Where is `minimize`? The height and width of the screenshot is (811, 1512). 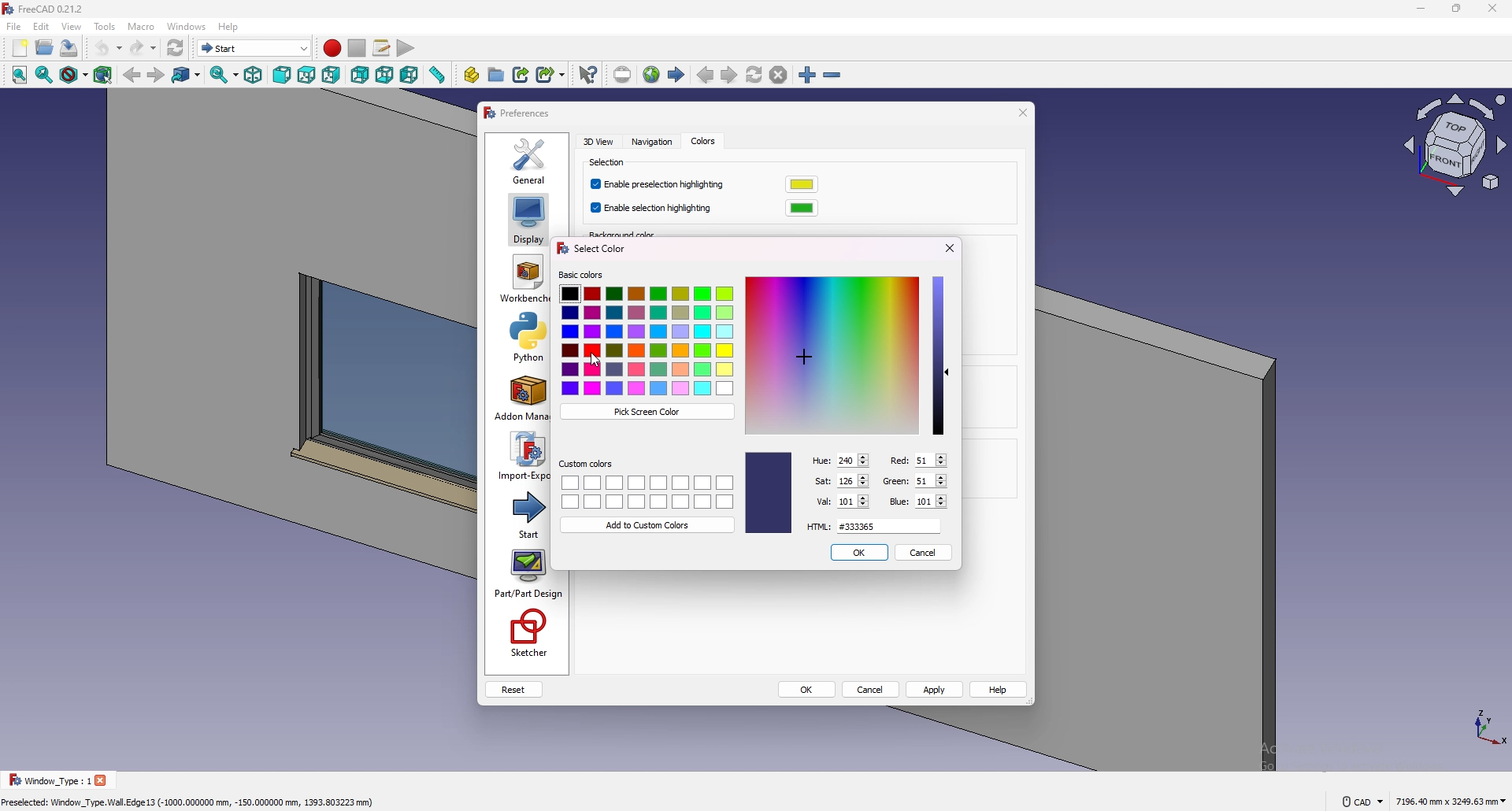
minimize is located at coordinates (1417, 9).